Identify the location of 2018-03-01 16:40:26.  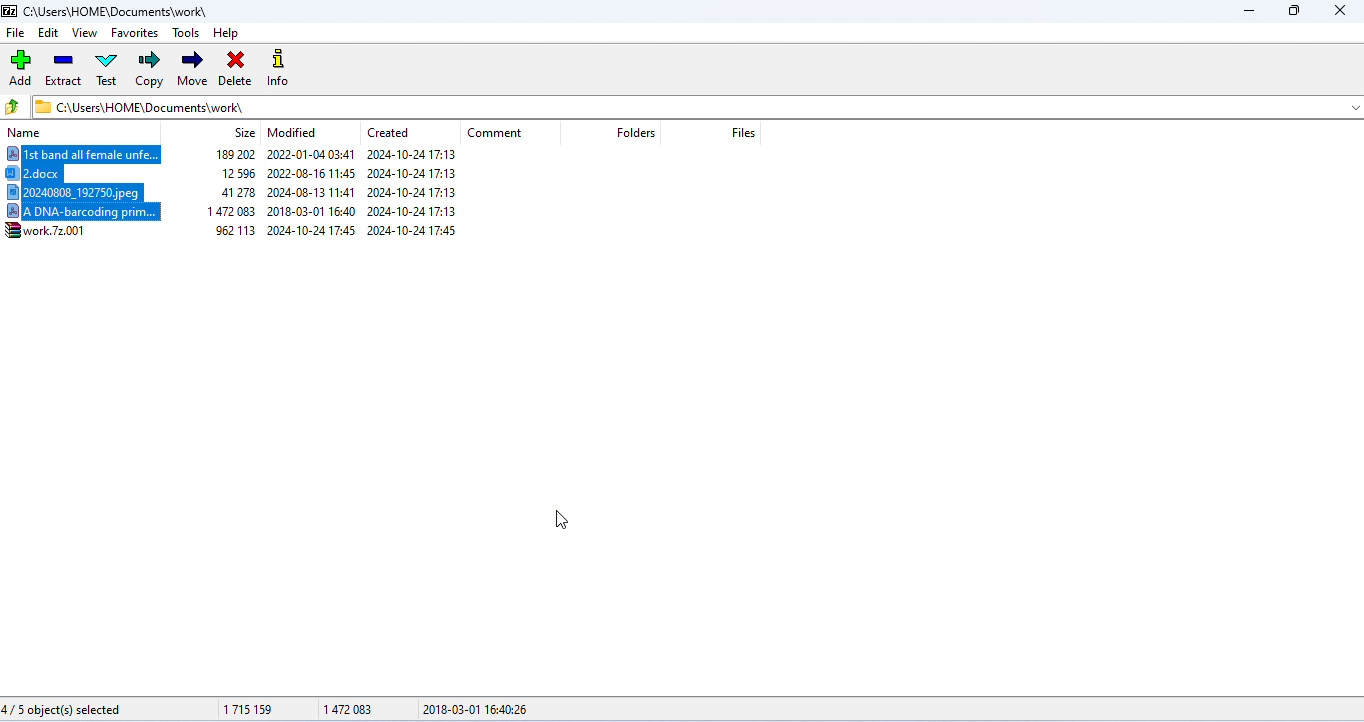
(477, 709).